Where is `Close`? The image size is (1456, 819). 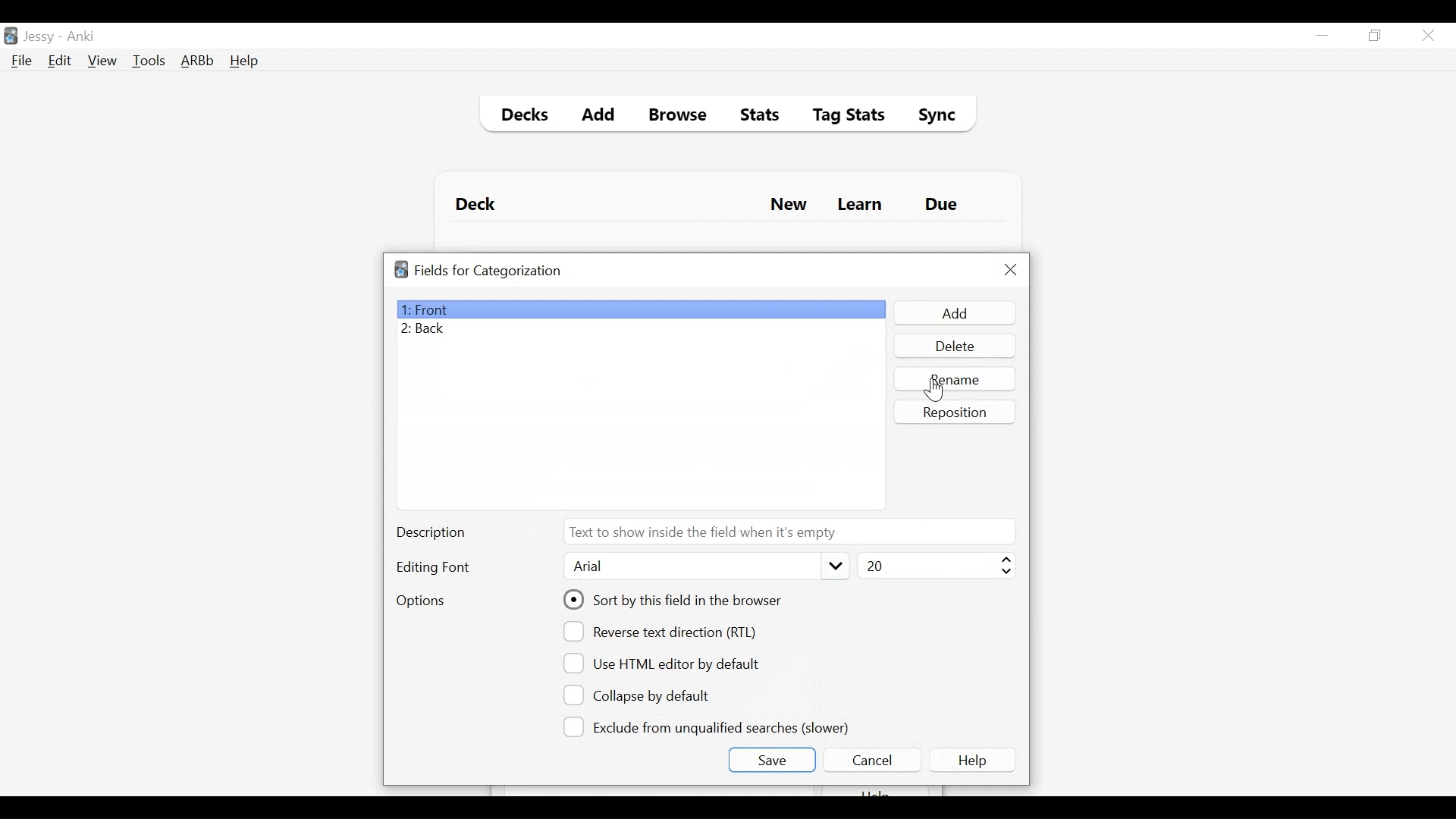
Close is located at coordinates (1428, 36).